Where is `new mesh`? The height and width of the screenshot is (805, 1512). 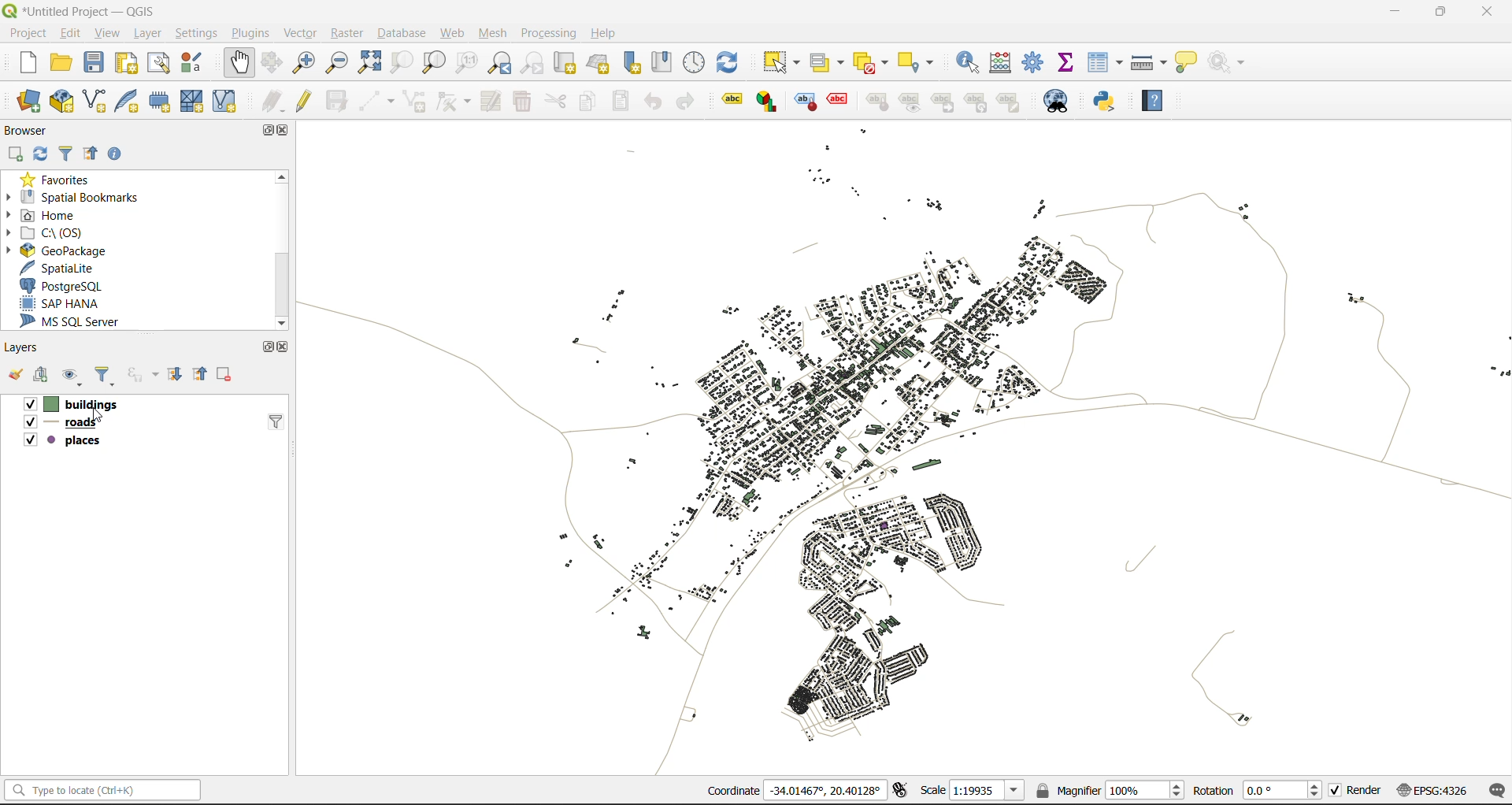 new mesh is located at coordinates (195, 101).